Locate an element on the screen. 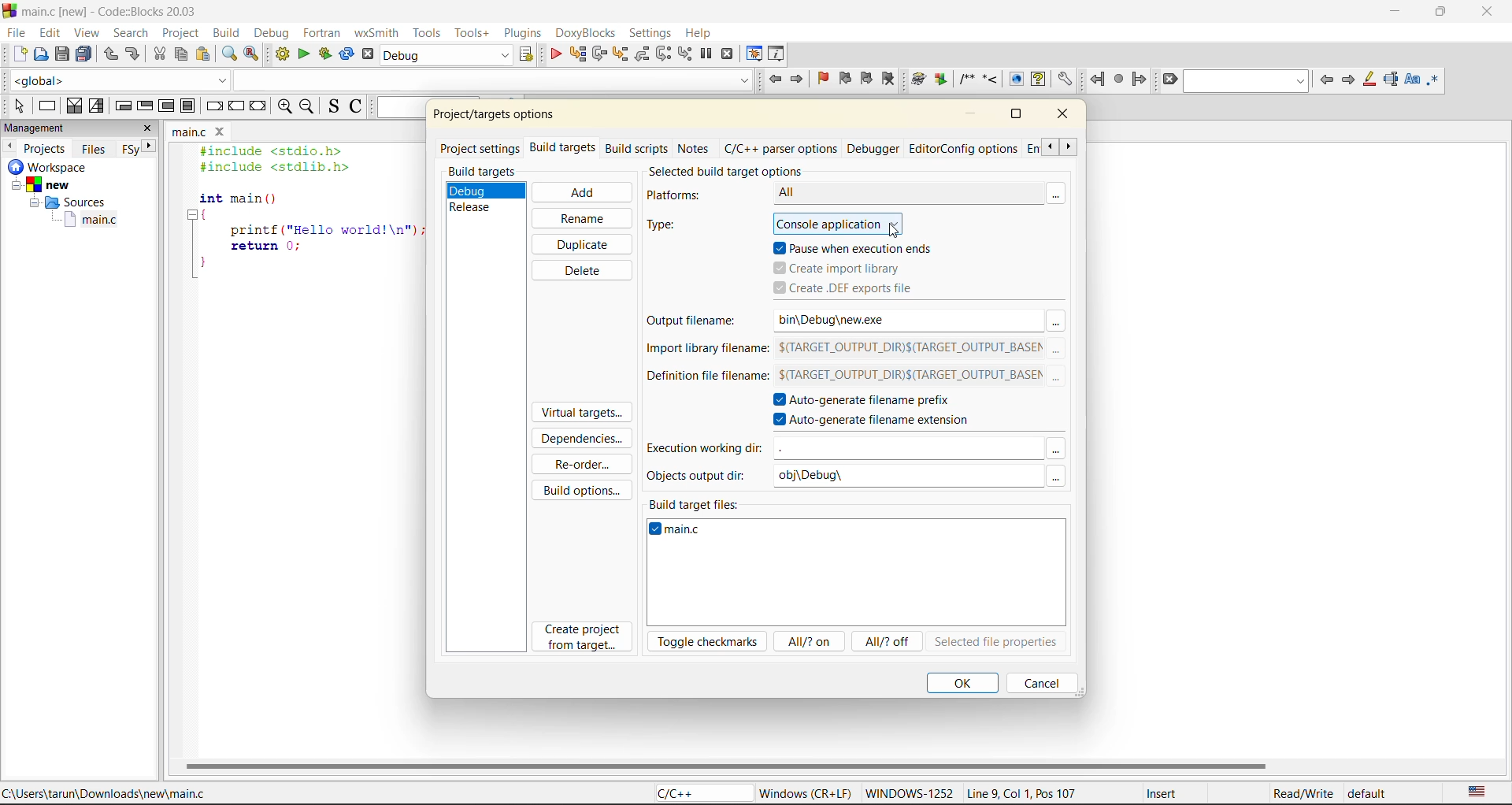 The width and height of the screenshot is (1512, 805). Insert a line comment at the current cursor position is located at coordinates (989, 79).